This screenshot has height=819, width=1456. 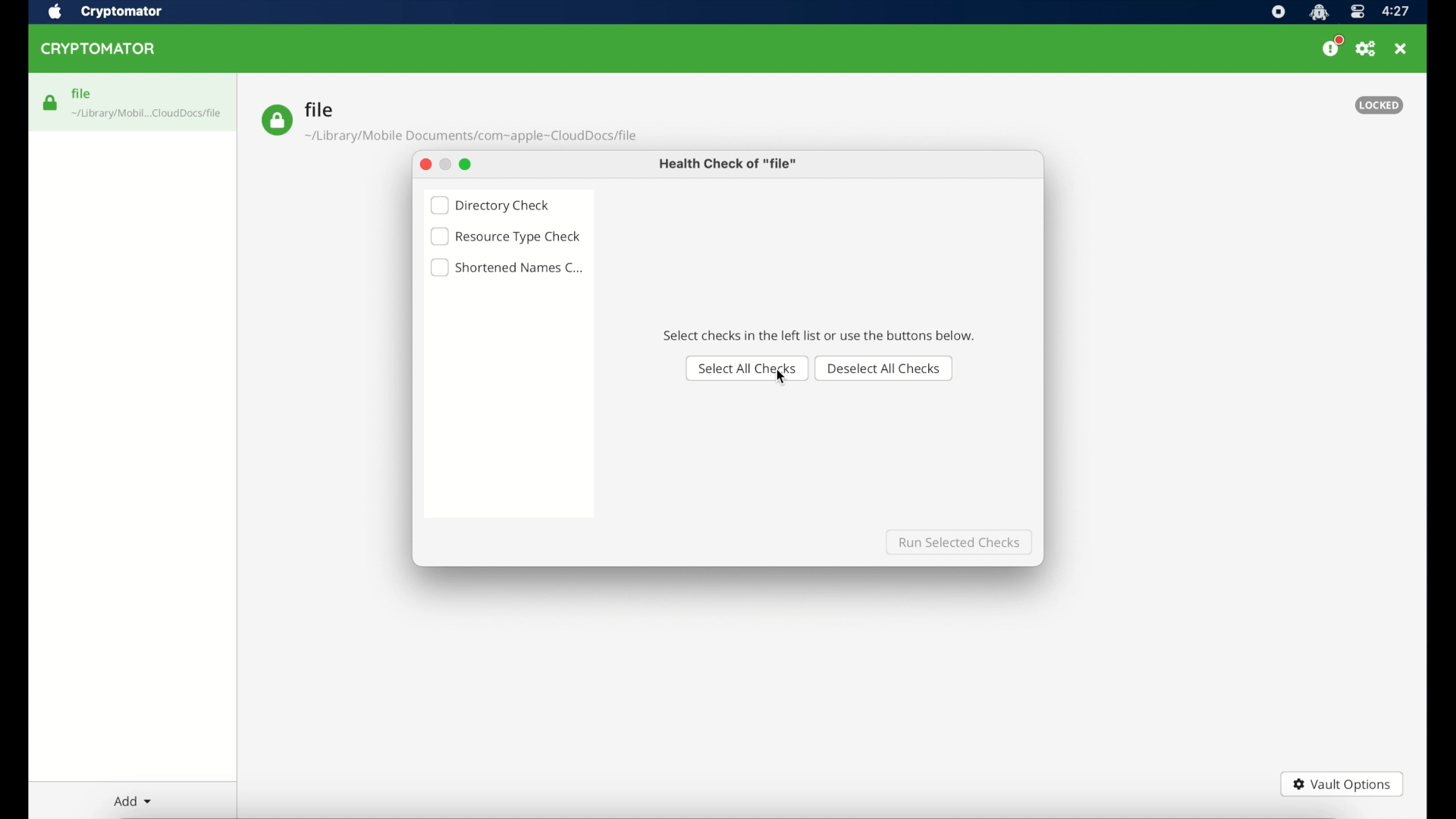 What do you see at coordinates (101, 49) in the screenshot?
I see `cryptomator` at bounding box center [101, 49].